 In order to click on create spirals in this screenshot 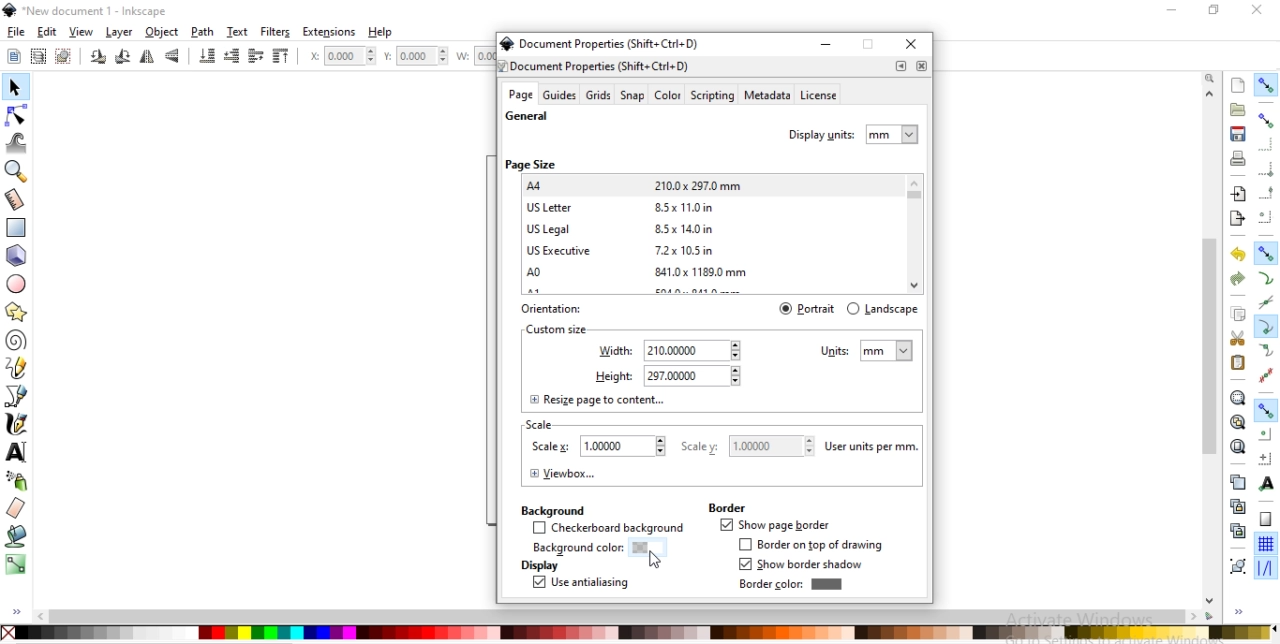, I will do `click(16, 341)`.